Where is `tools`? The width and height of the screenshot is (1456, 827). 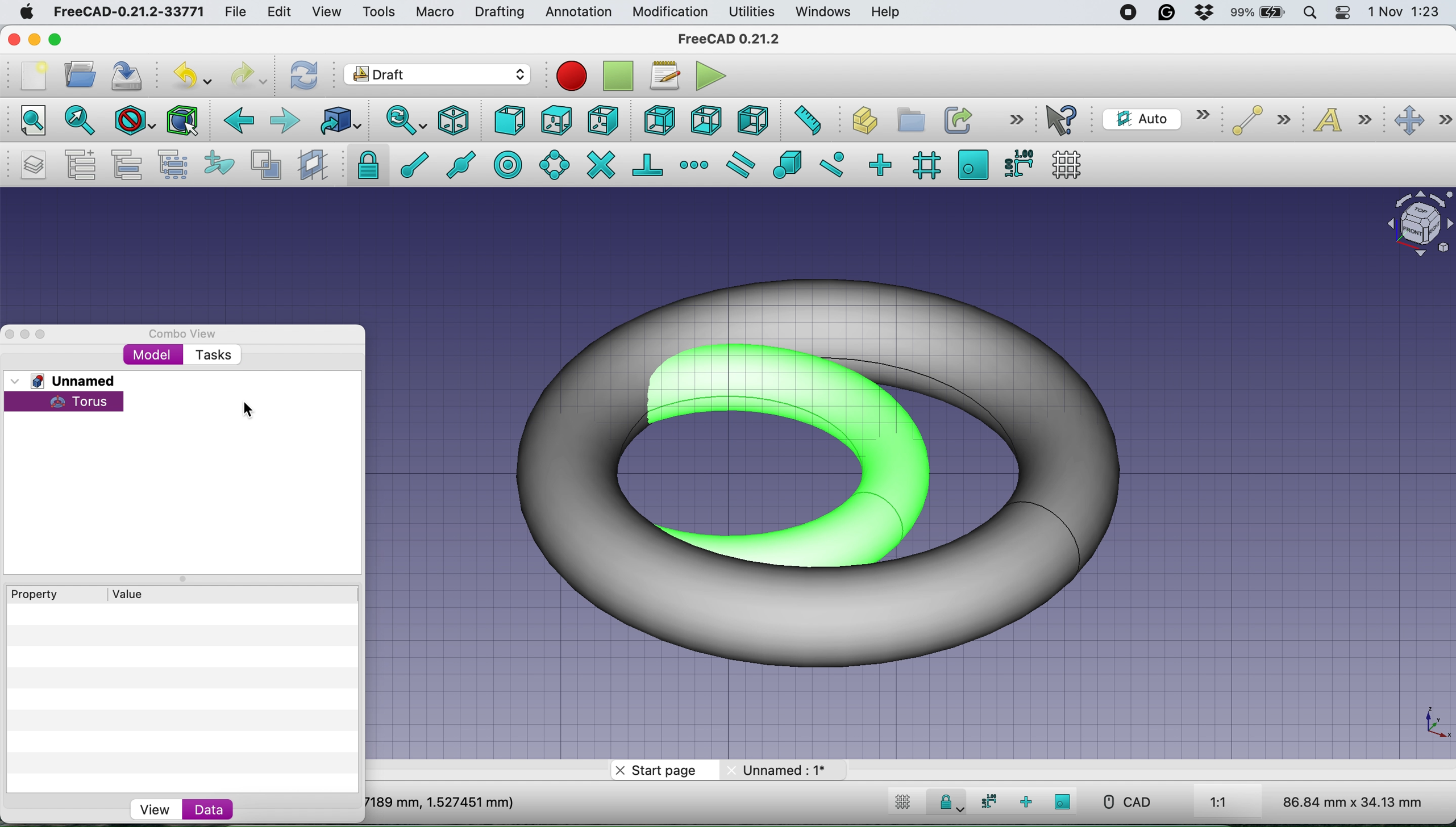 tools is located at coordinates (375, 11).